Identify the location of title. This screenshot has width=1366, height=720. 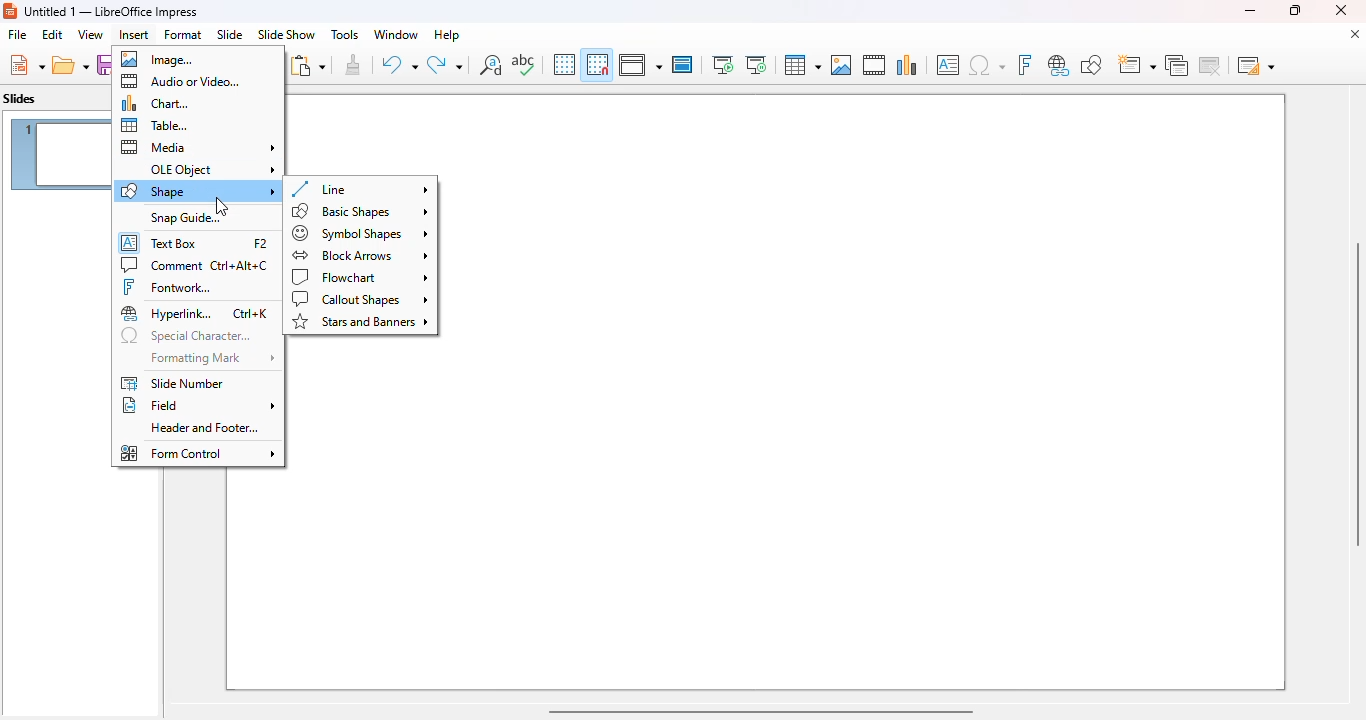
(112, 11).